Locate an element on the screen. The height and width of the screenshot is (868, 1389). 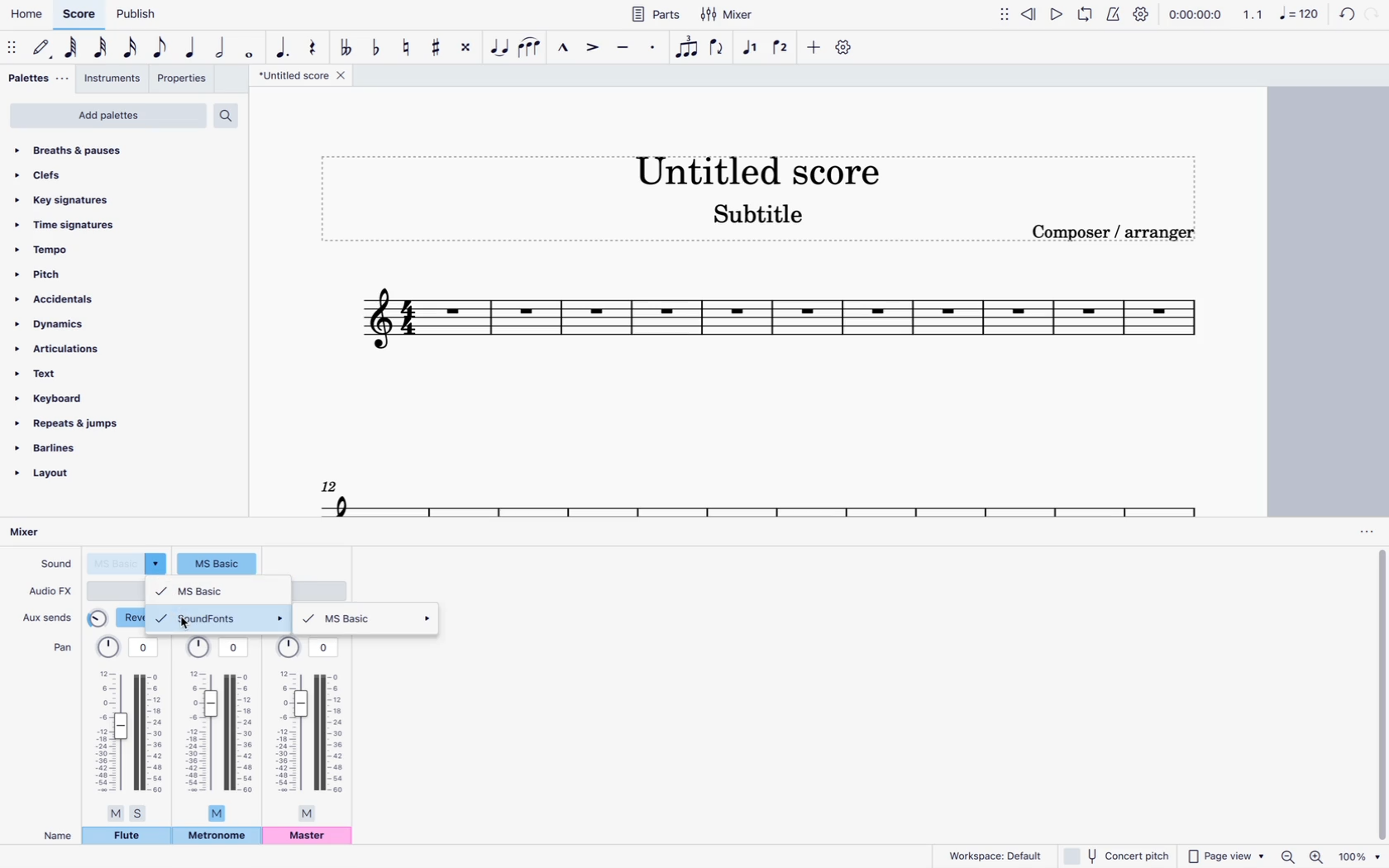
pan is located at coordinates (308, 728).